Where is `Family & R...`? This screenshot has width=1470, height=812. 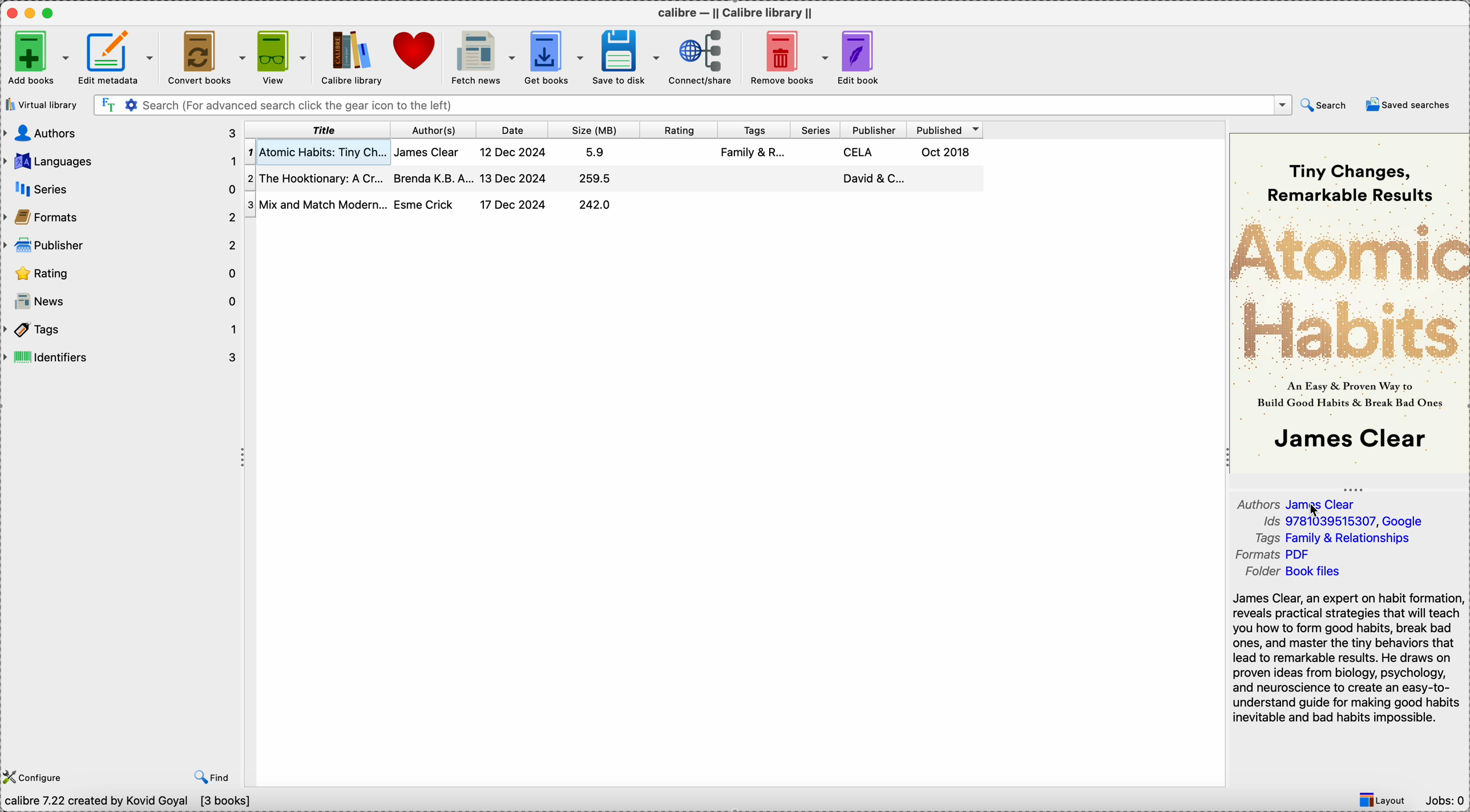
Family & R... is located at coordinates (751, 151).